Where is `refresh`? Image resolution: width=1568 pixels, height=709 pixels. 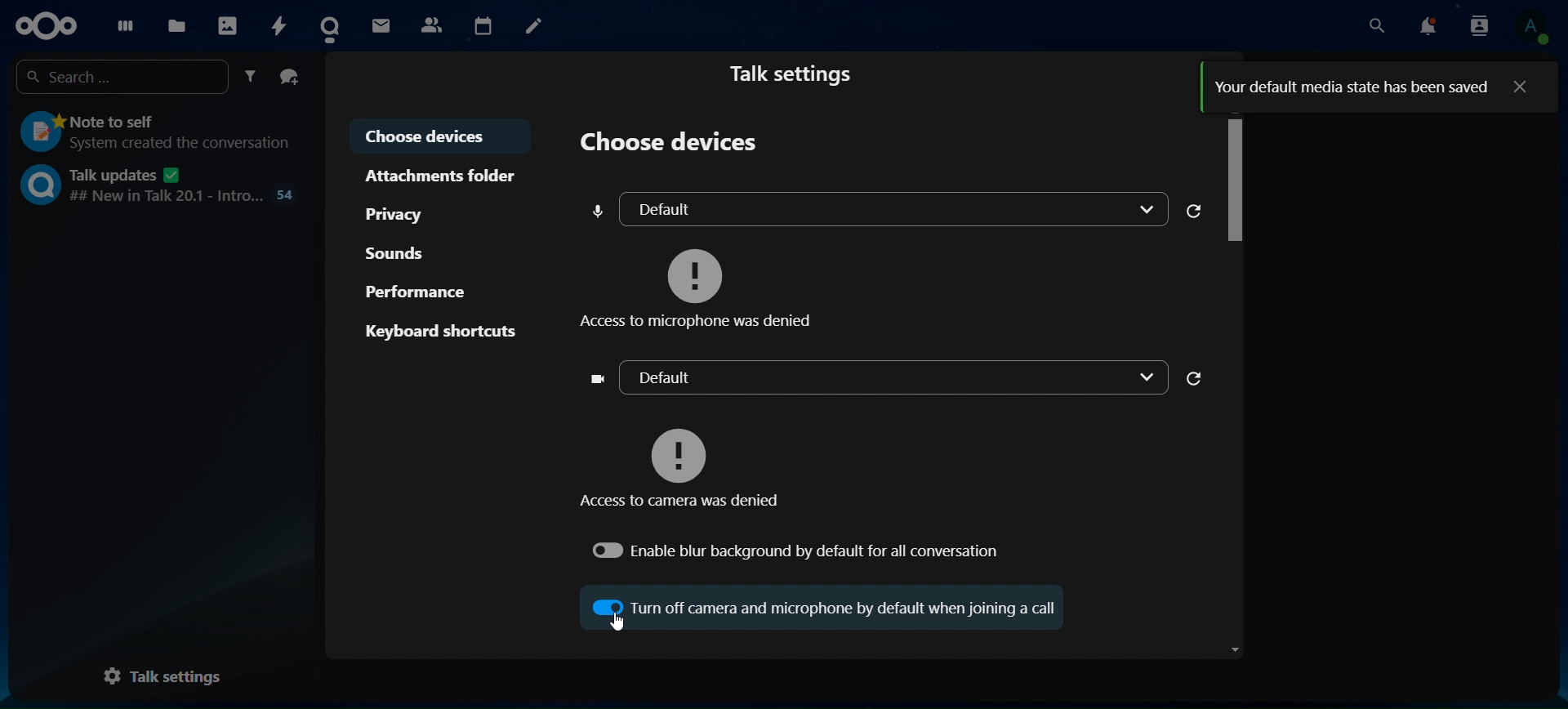
refresh is located at coordinates (1200, 379).